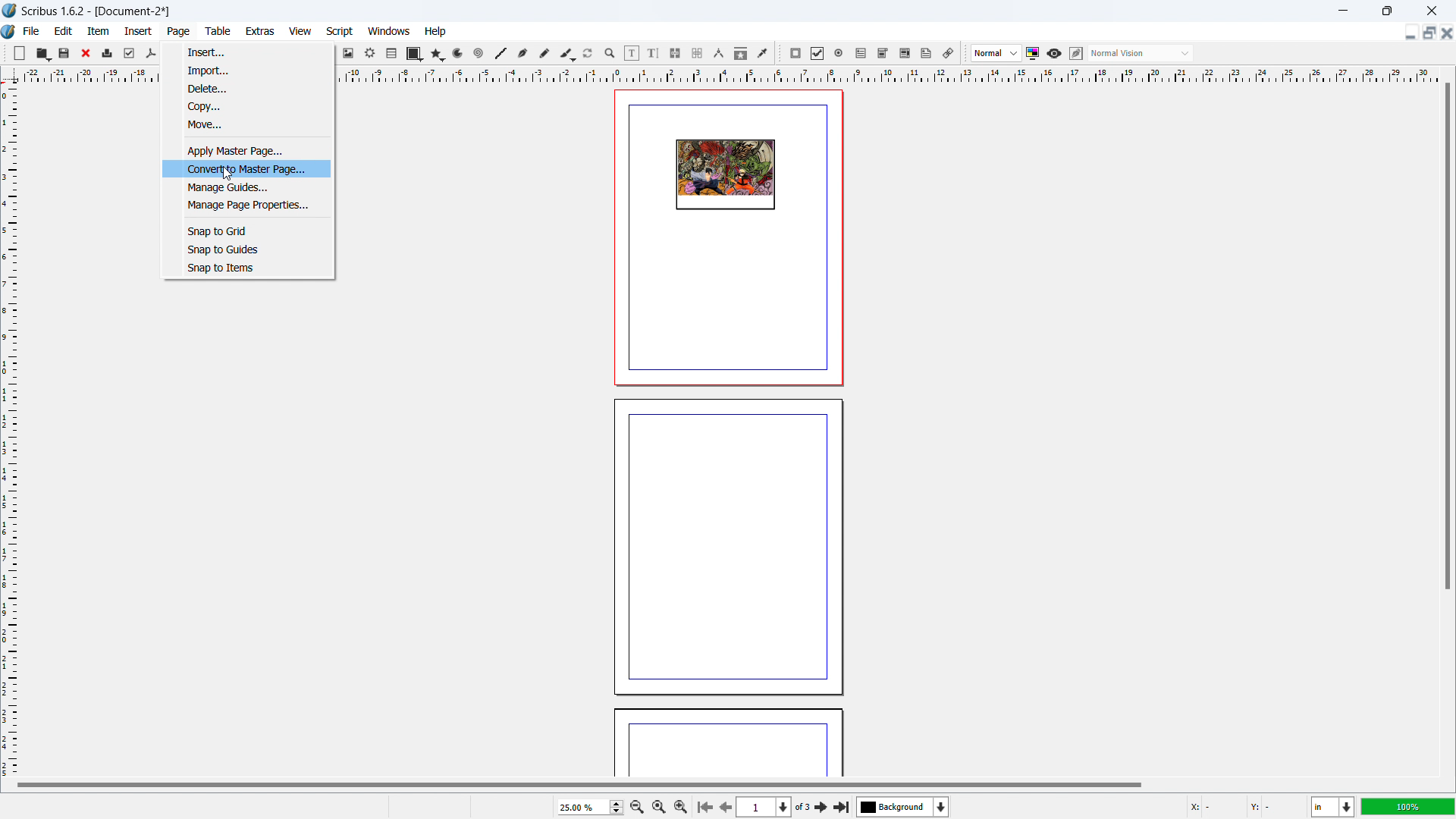 The height and width of the screenshot is (819, 1456). I want to click on text annotation, so click(927, 54).